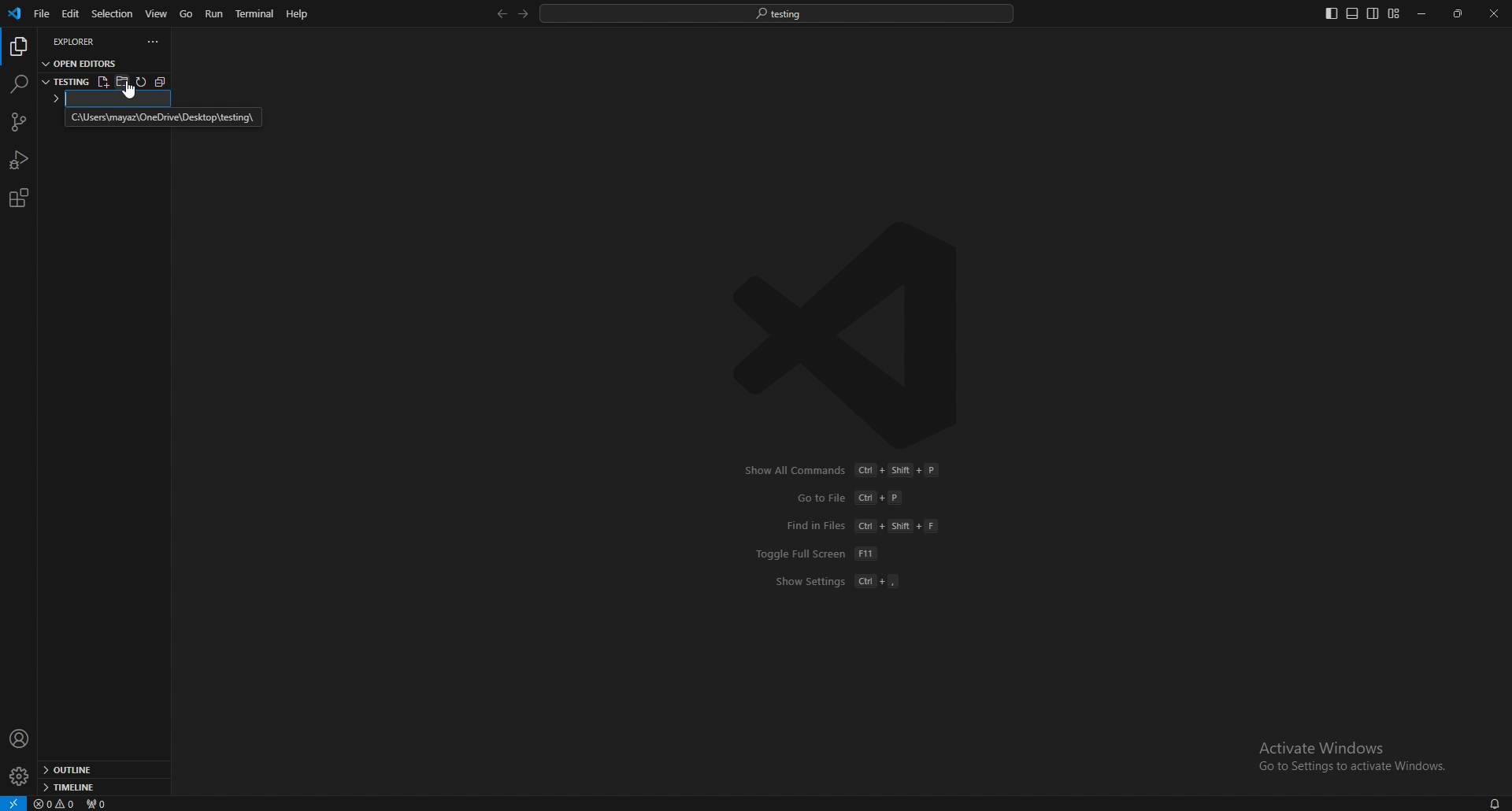 The image size is (1512, 811). What do you see at coordinates (1459, 14) in the screenshot?
I see `resize` at bounding box center [1459, 14].